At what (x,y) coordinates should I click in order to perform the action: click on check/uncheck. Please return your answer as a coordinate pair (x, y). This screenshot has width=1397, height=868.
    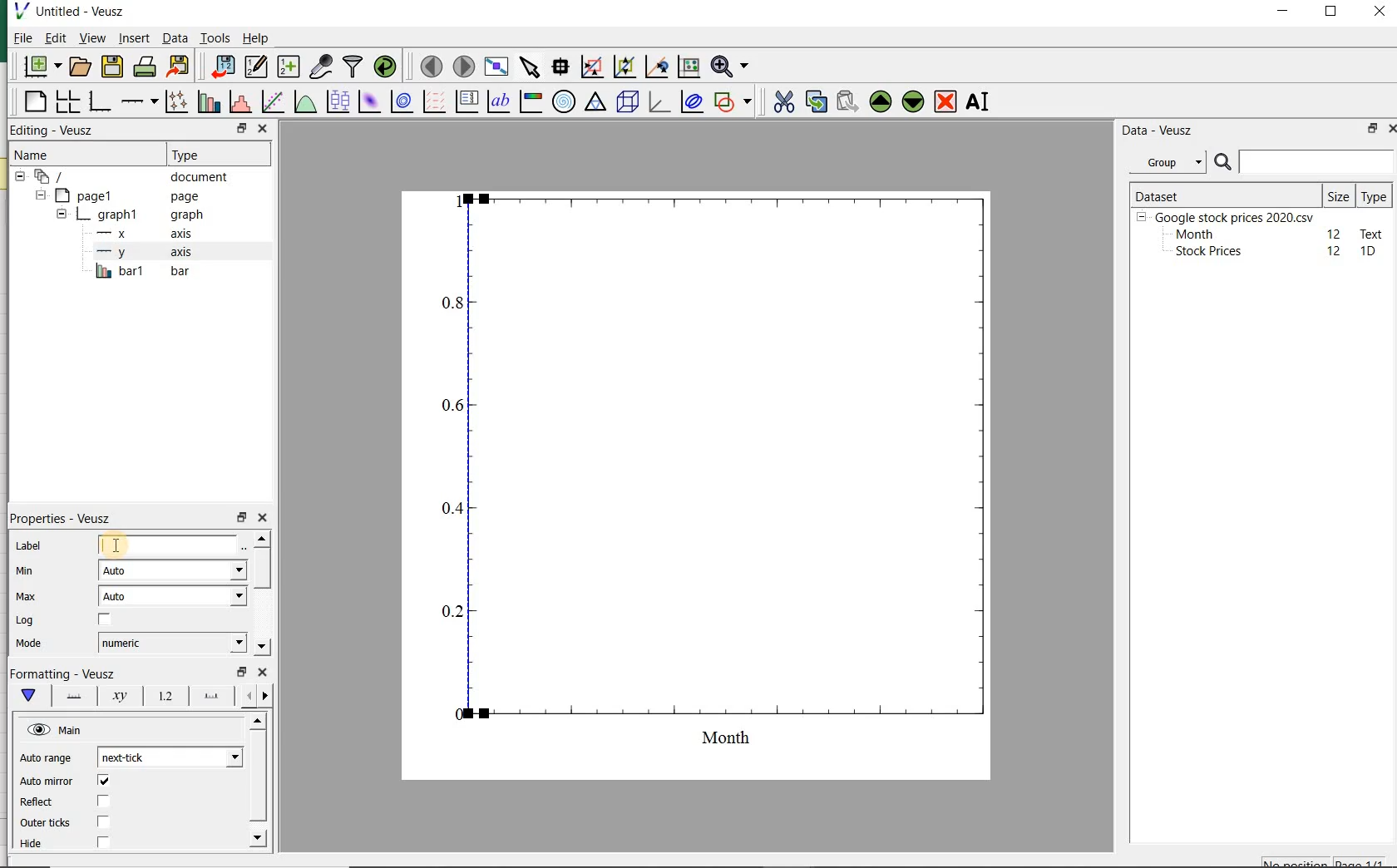
    Looking at the image, I should click on (103, 782).